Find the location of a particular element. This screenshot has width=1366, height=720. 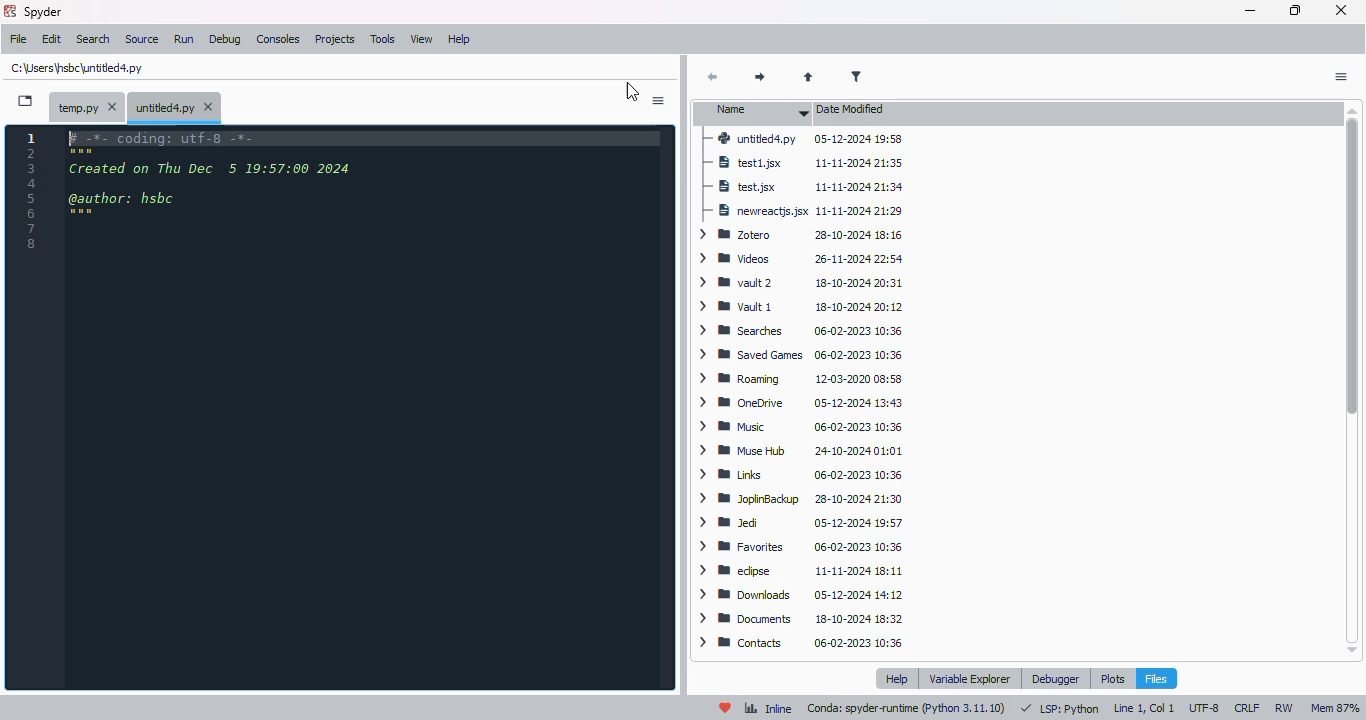

plots is located at coordinates (1112, 678).